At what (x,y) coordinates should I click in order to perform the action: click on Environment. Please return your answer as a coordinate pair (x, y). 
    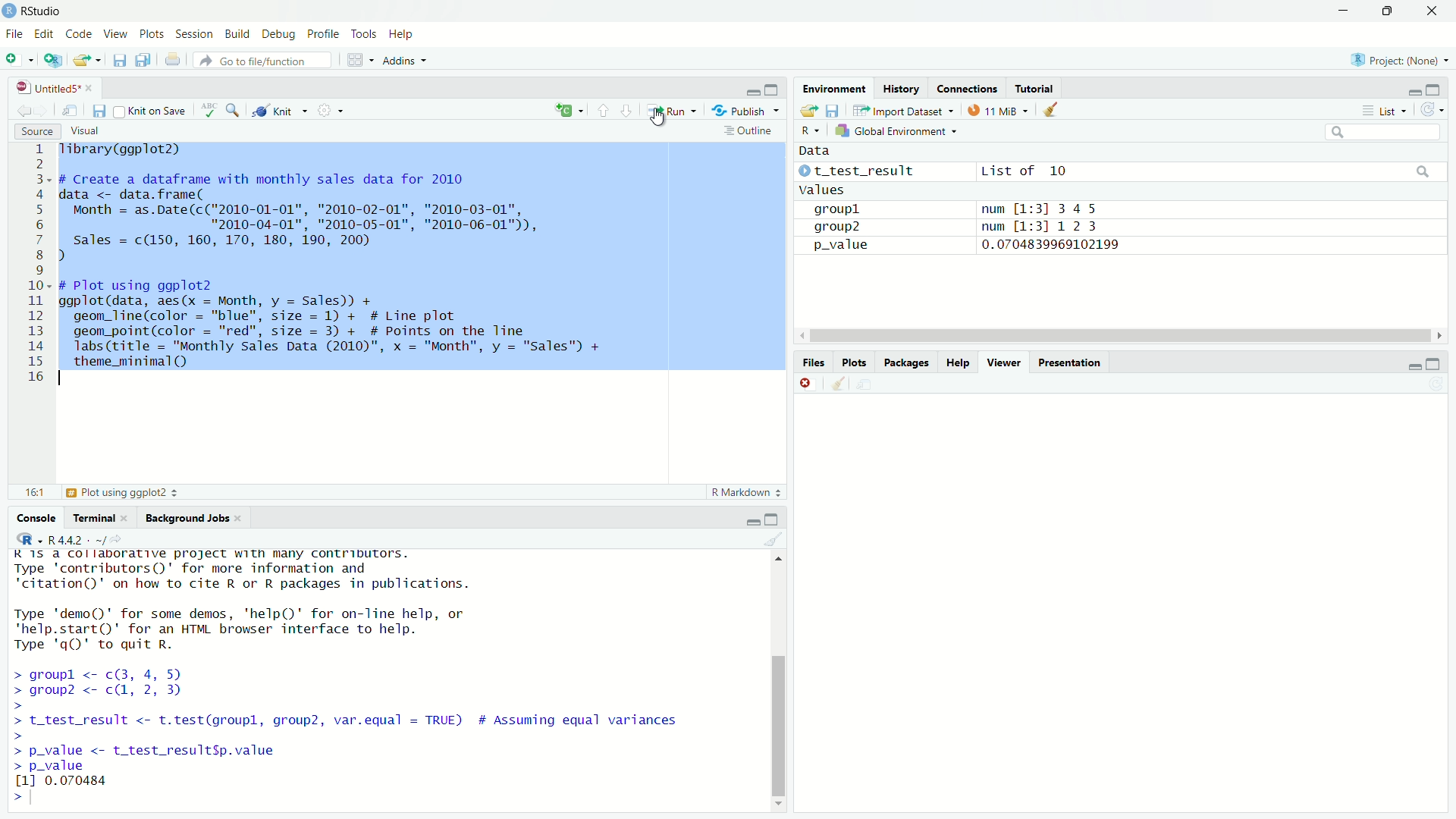
    Looking at the image, I should click on (830, 86).